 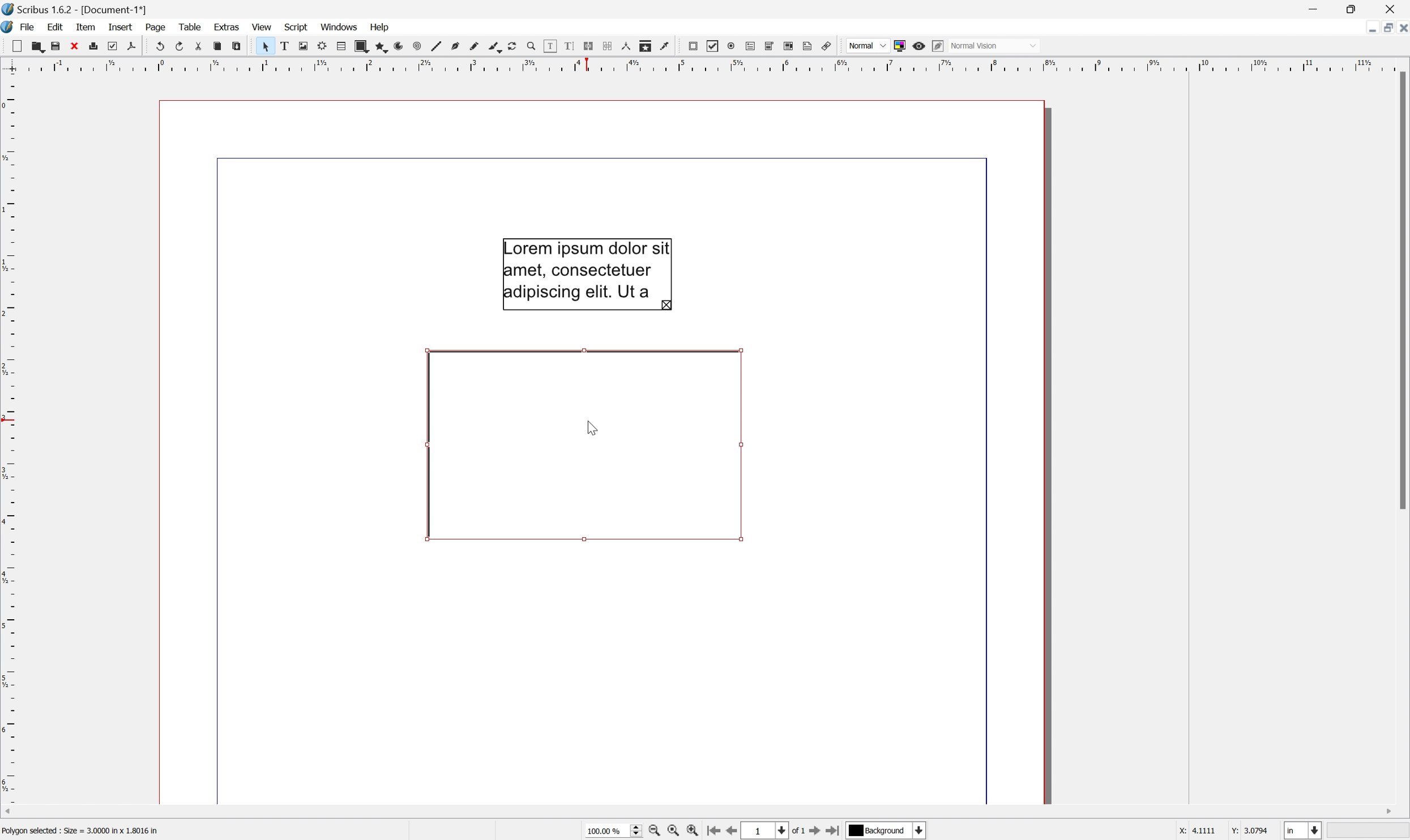 I want to click on Zoom in by the stepping value in tools preferences, so click(x=698, y=831).